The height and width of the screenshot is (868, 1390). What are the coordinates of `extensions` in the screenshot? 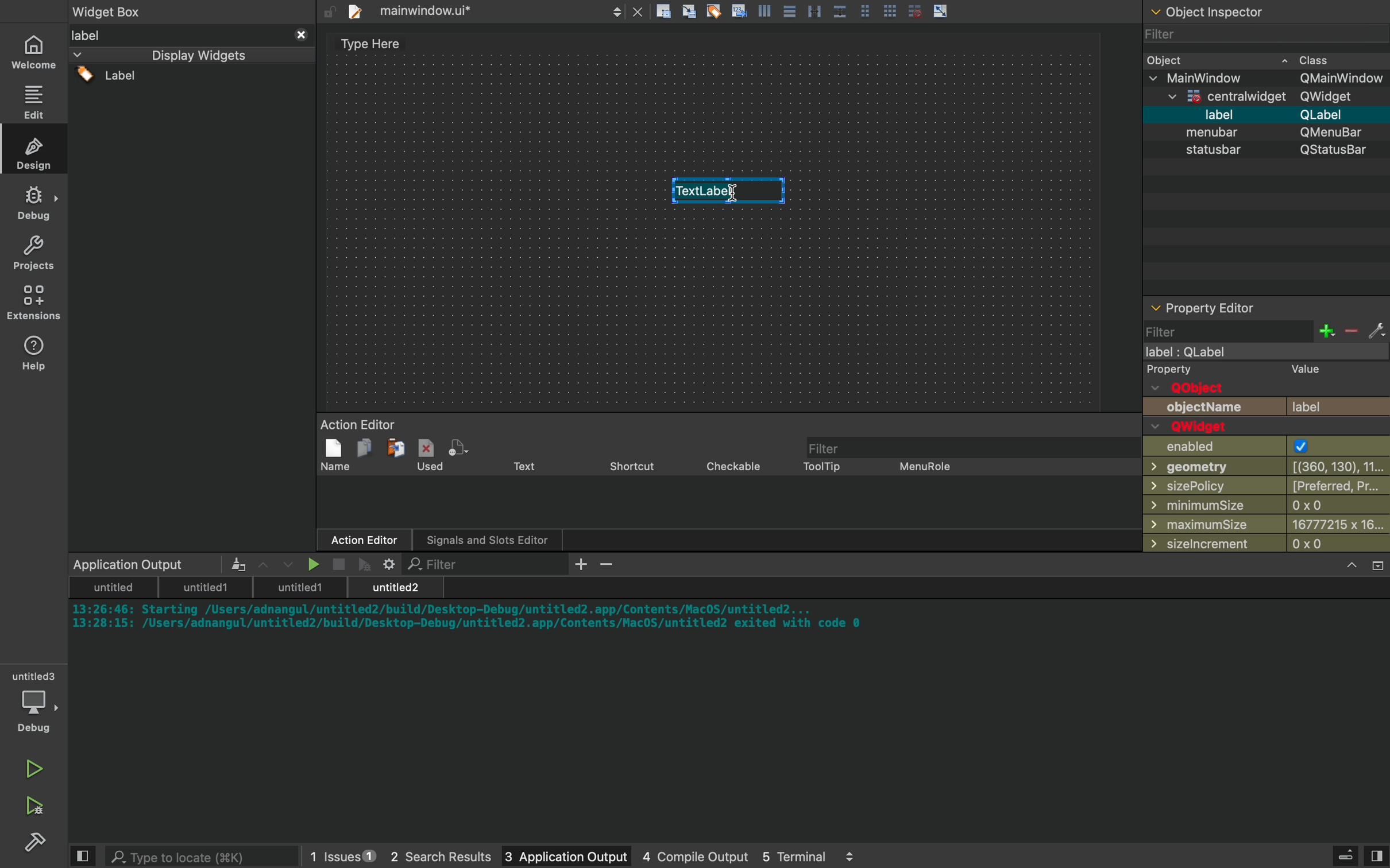 It's located at (36, 303).